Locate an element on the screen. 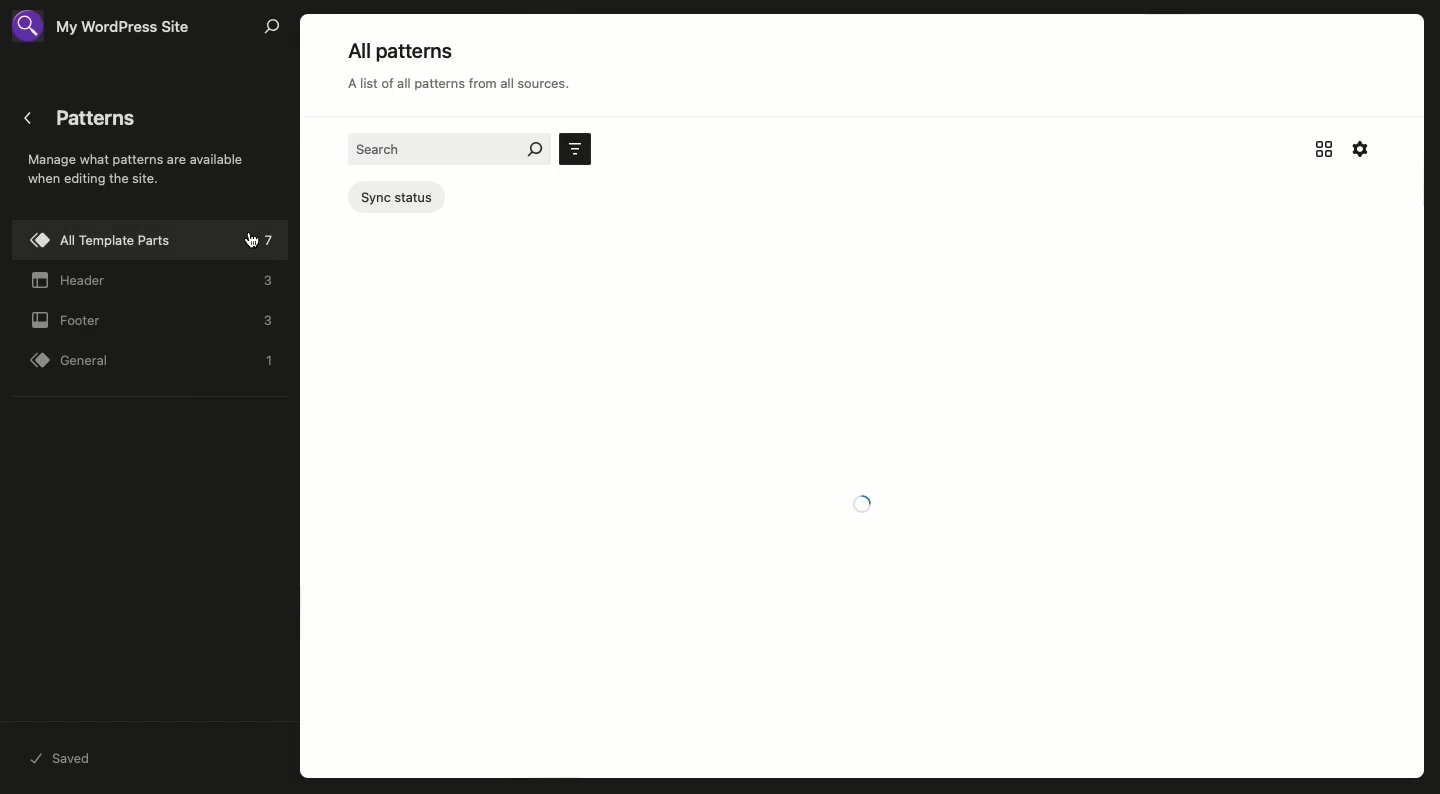 Image resolution: width=1440 pixels, height=794 pixels. loading is located at coordinates (867, 502).